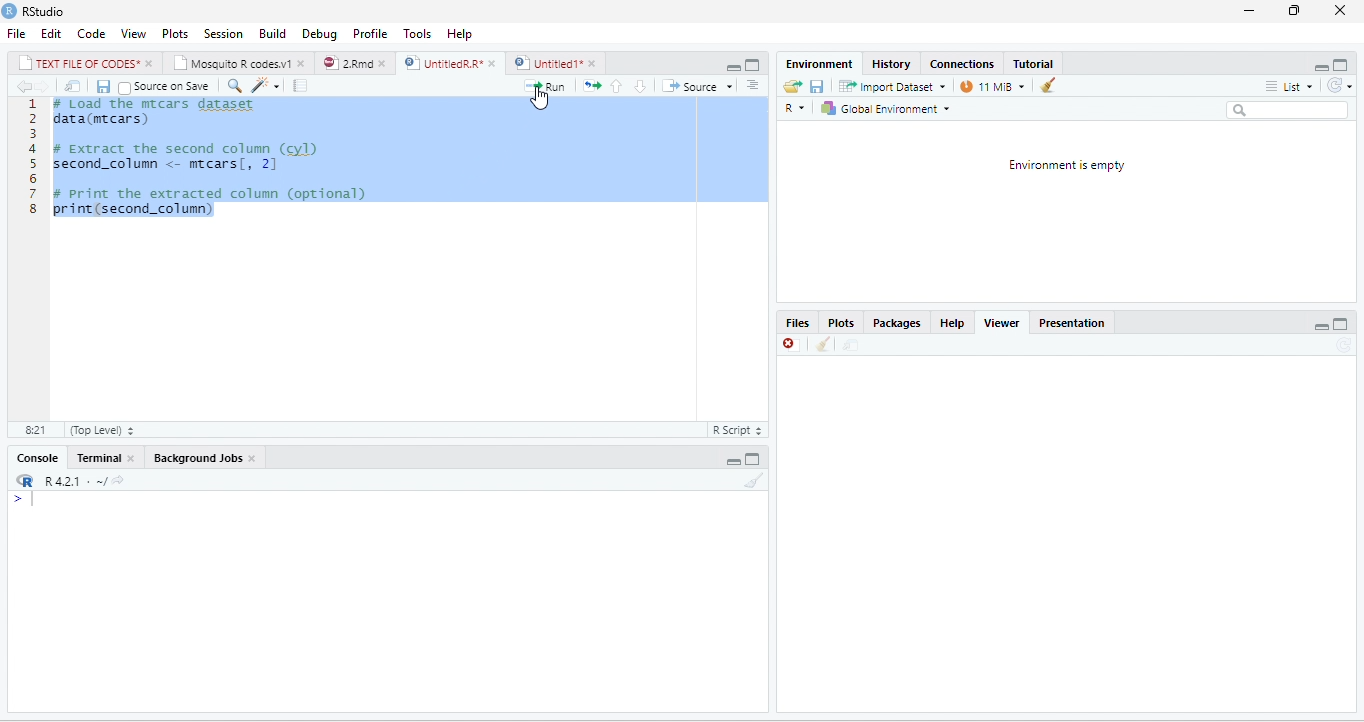 The image size is (1364, 722). I want to click on 4, so click(32, 149).